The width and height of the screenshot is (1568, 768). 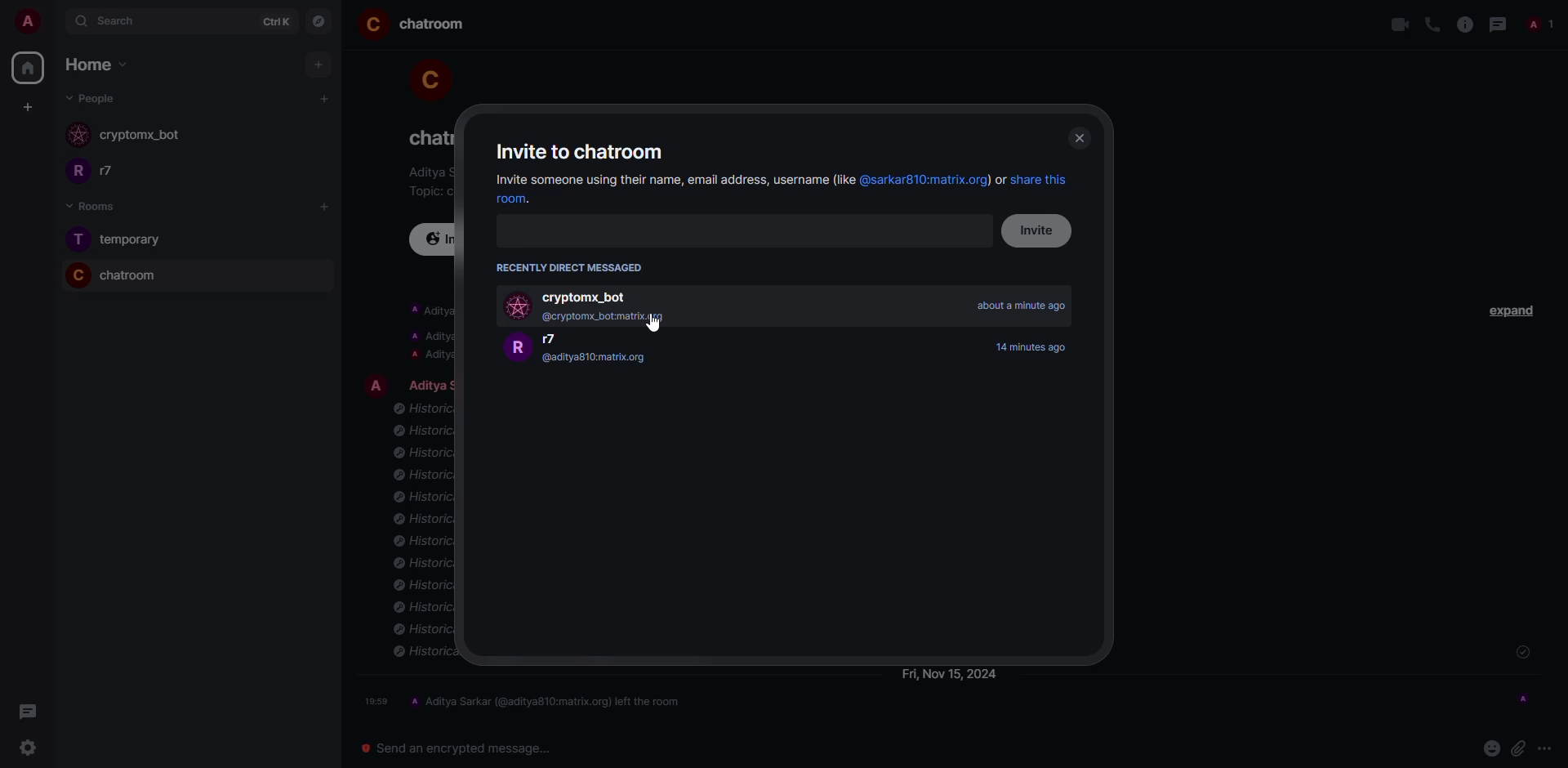 I want to click on add, so click(x=327, y=206).